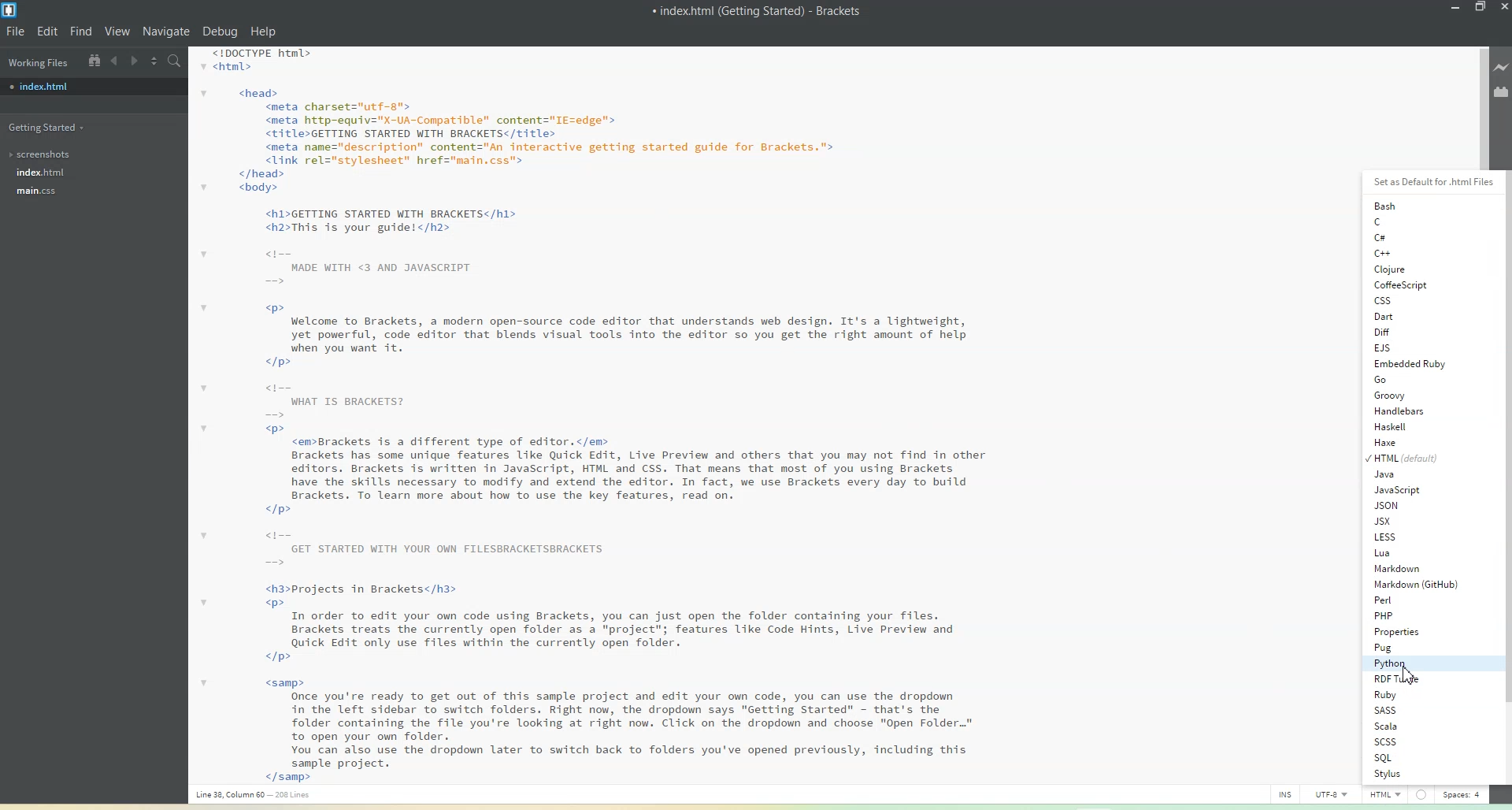  What do you see at coordinates (586, 415) in the screenshot?
I see `Code` at bounding box center [586, 415].